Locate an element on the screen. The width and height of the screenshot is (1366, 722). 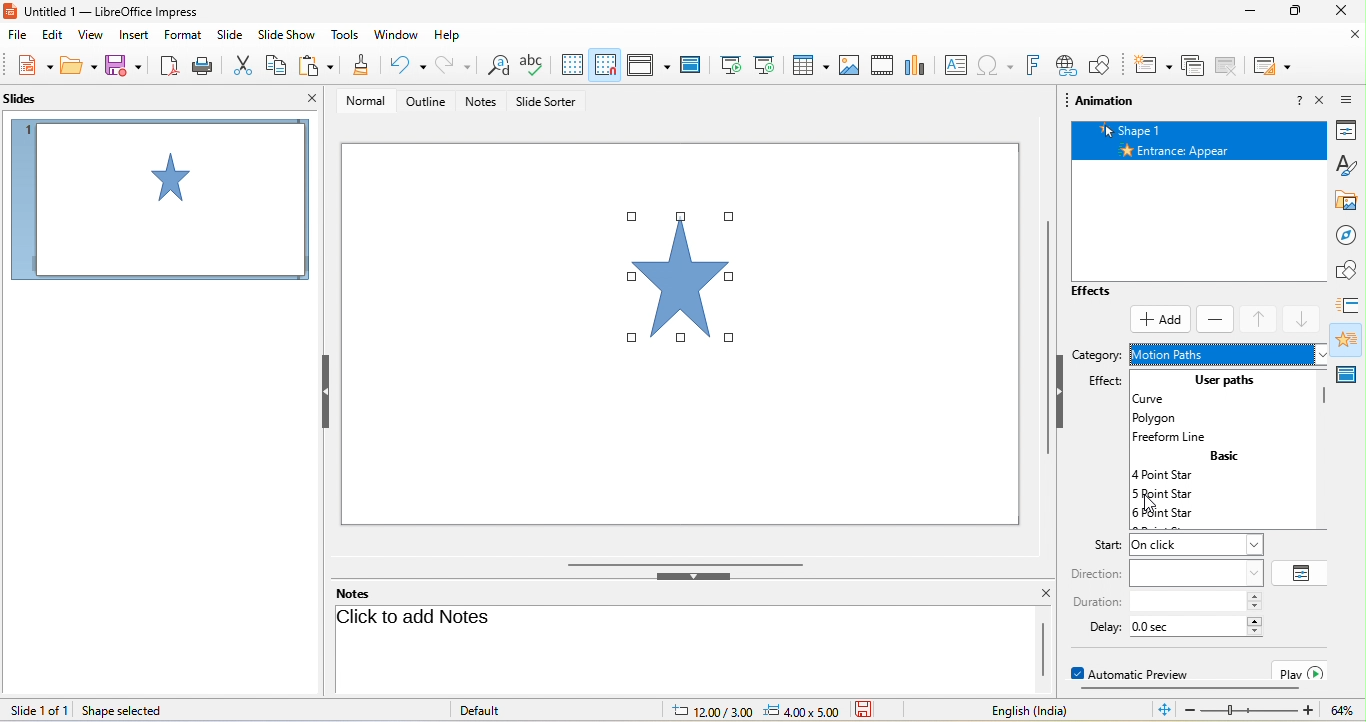
hide is located at coordinates (329, 392).